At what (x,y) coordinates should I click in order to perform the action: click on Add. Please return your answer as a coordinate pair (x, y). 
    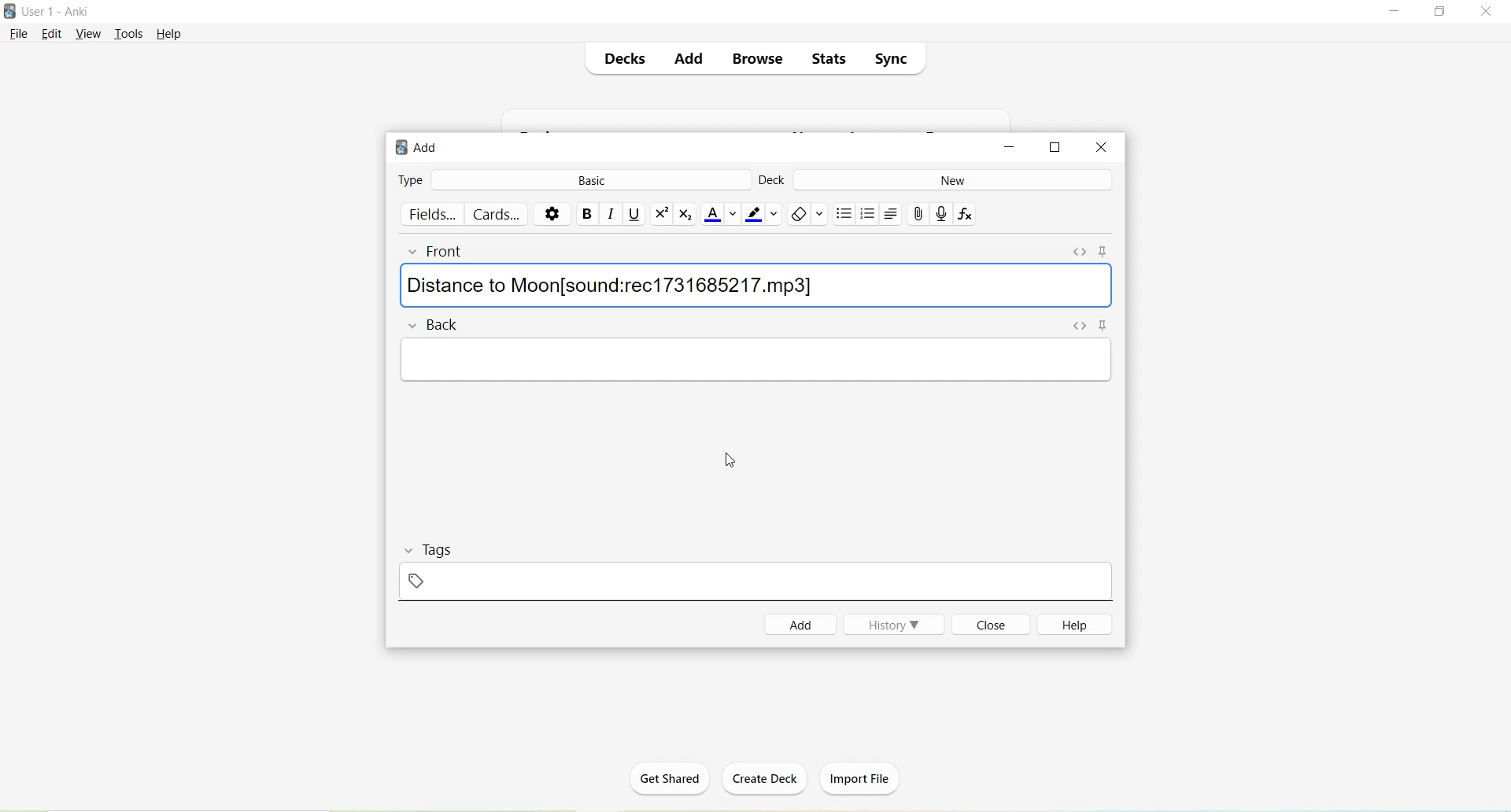
    Looking at the image, I should click on (422, 149).